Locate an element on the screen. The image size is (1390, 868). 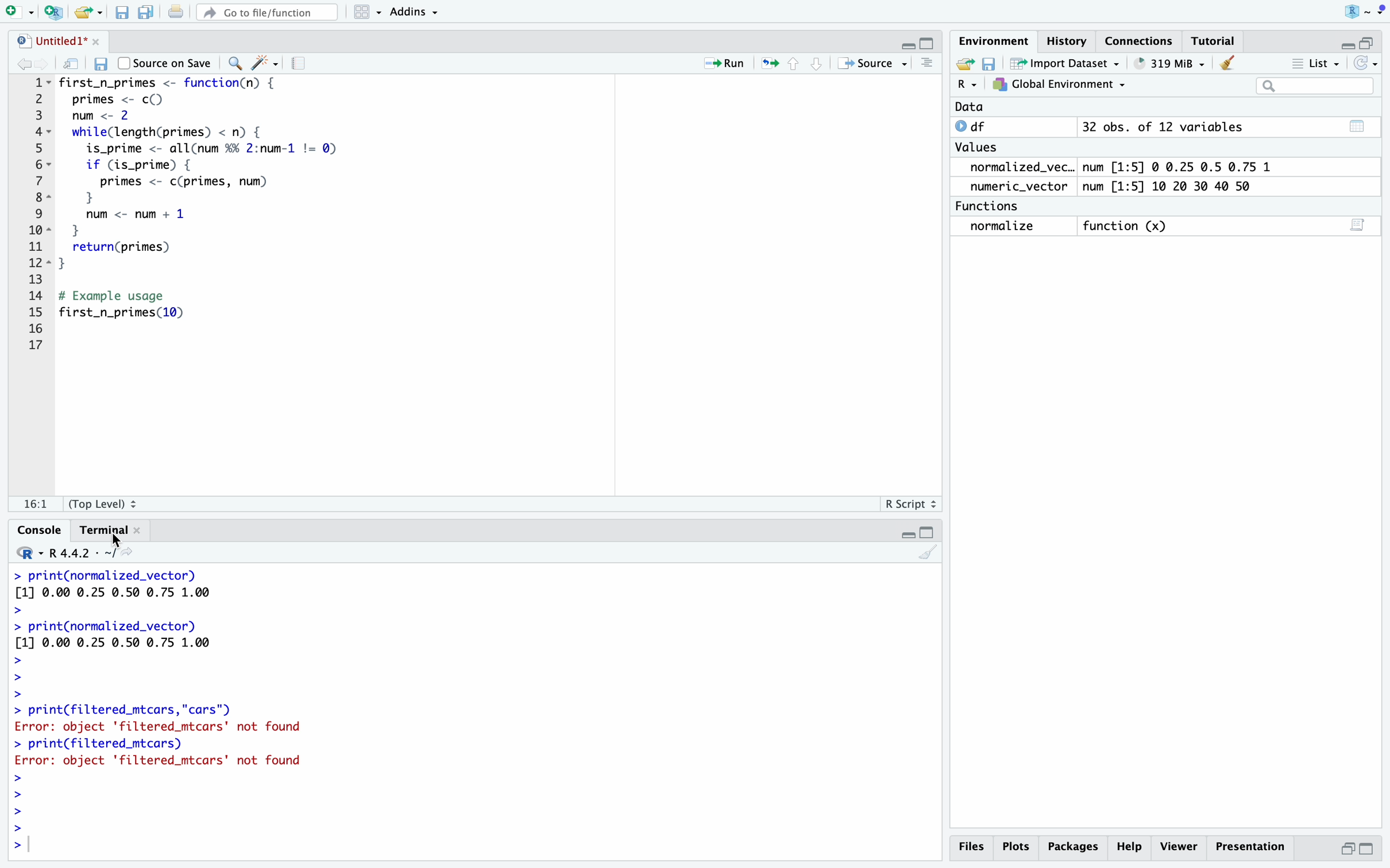
find/replace is located at coordinates (231, 63).